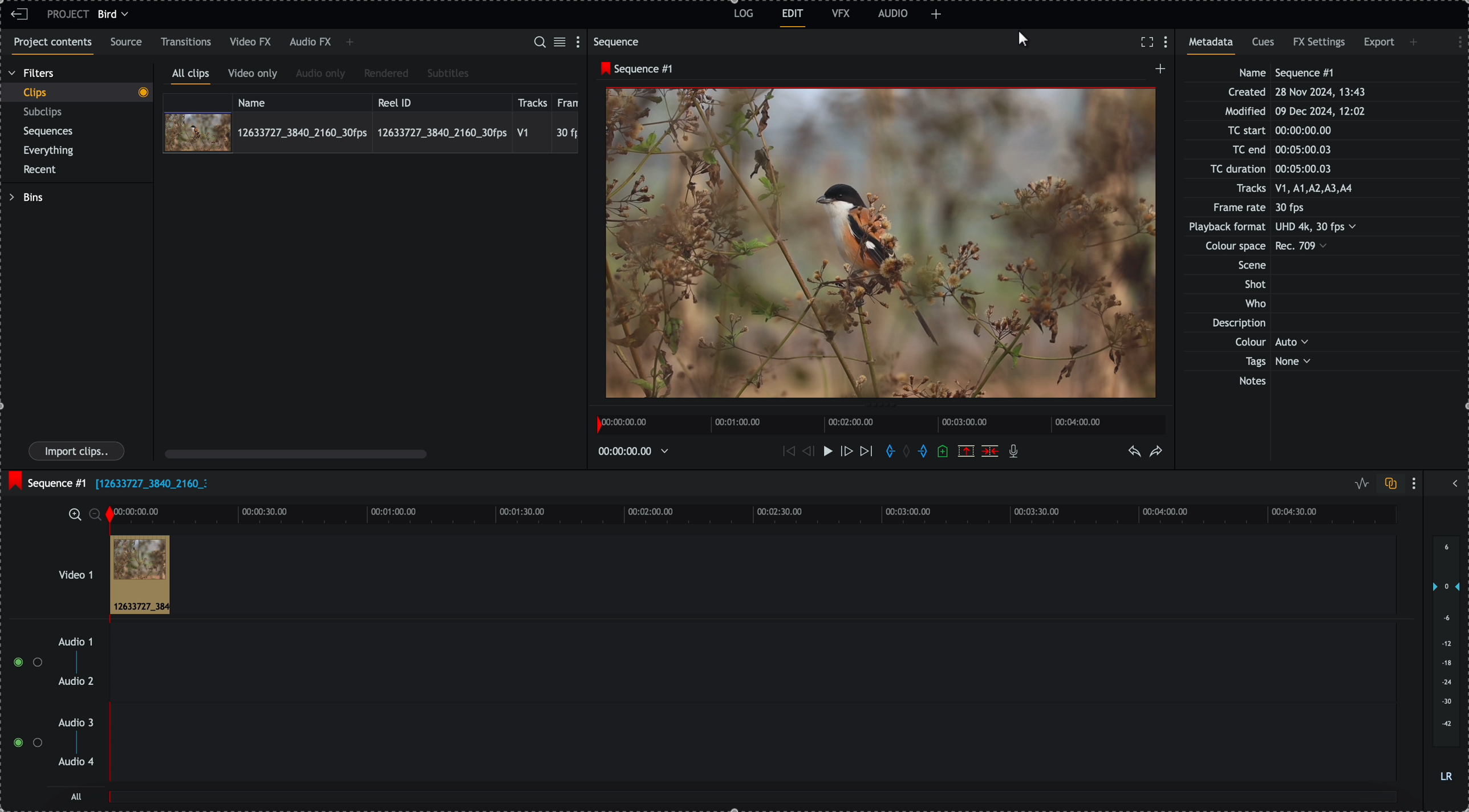 The image size is (1469, 812). What do you see at coordinates (1264, 46) in the screenshot?
I see `cues` at bounding box center [1264, 46].